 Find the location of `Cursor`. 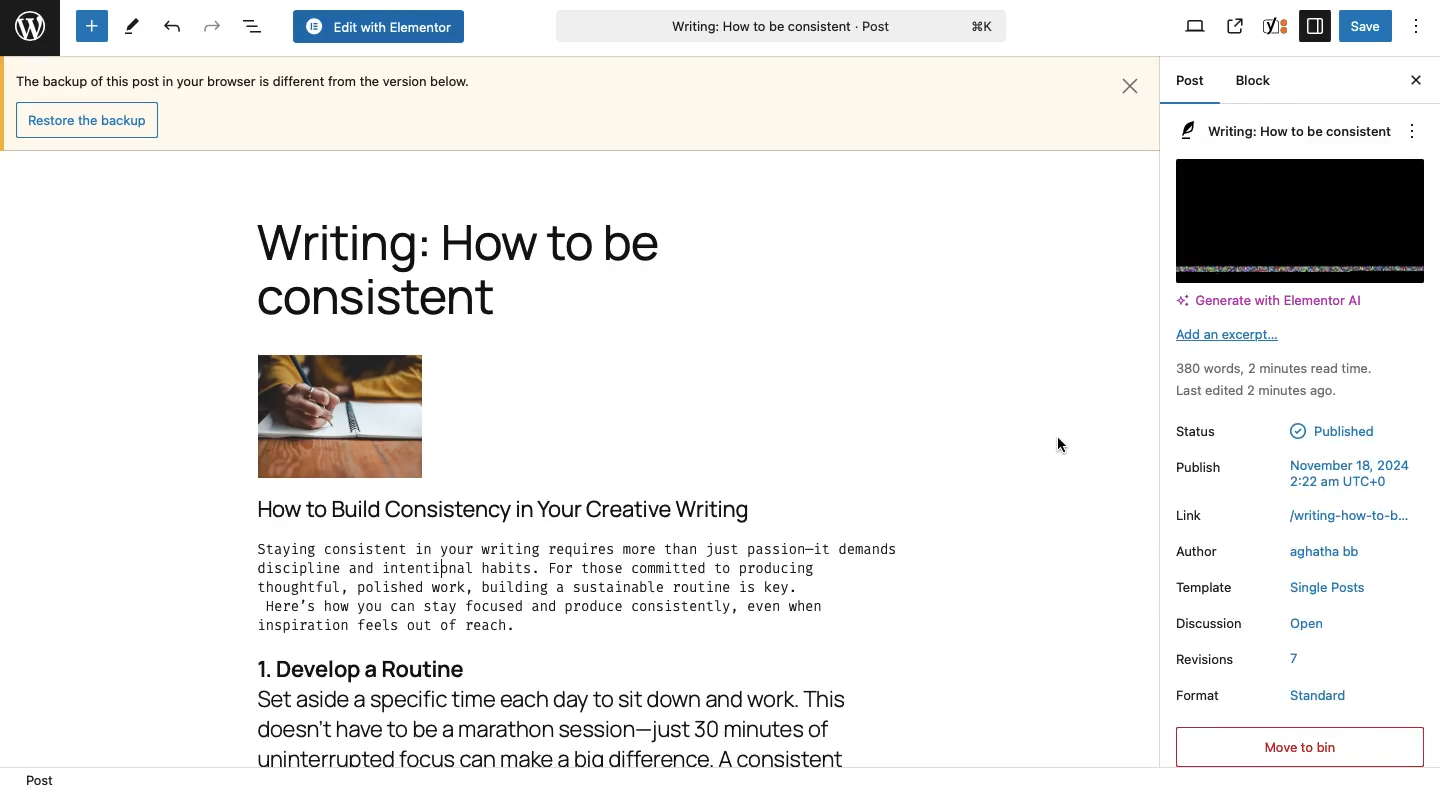

Cursor is located at coordinates (1060, 443).